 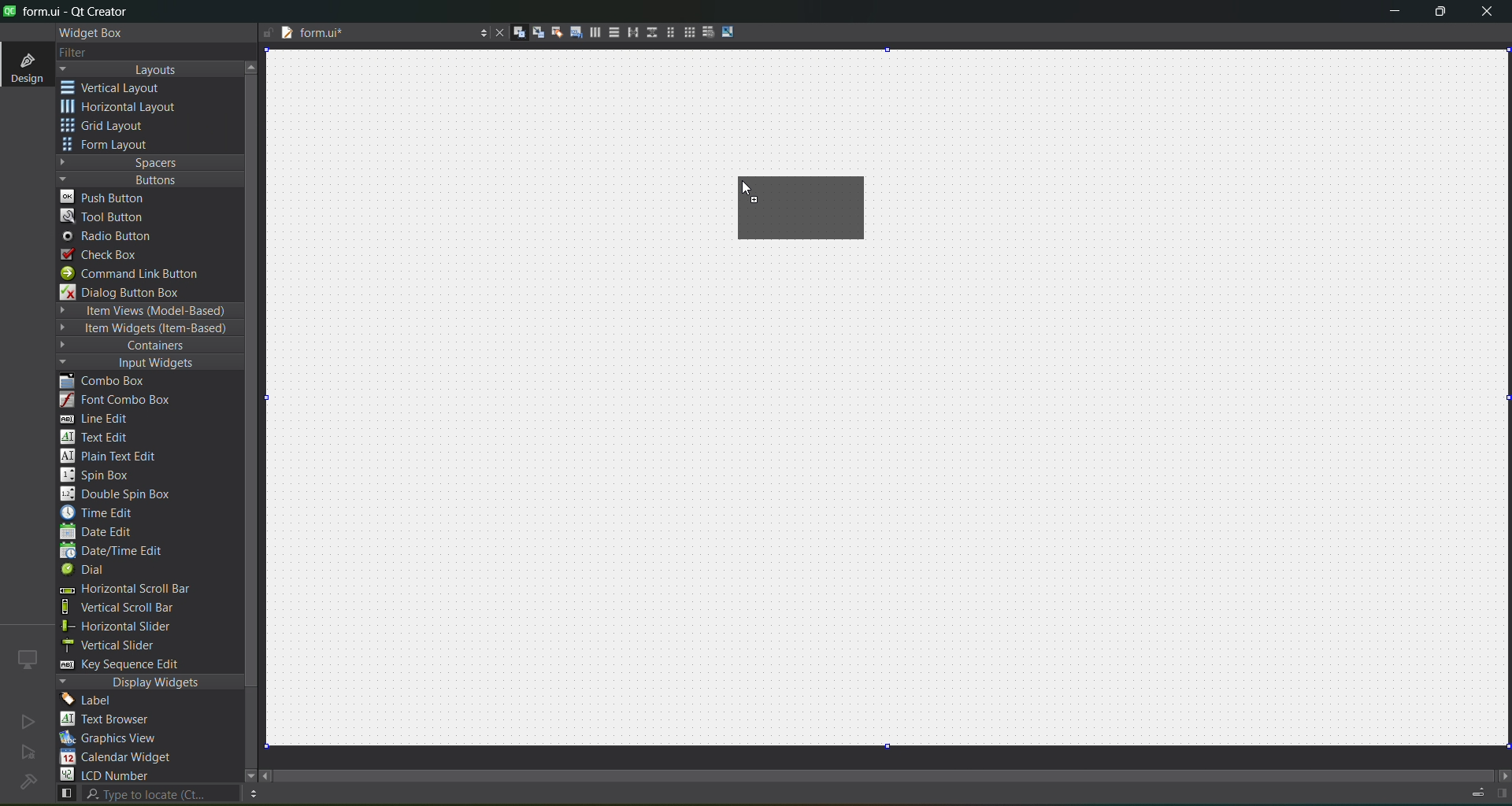 What do you see at coordinates (1503, 777) in the screenshot?
I see `move right` at bounding box center [1503, 777].